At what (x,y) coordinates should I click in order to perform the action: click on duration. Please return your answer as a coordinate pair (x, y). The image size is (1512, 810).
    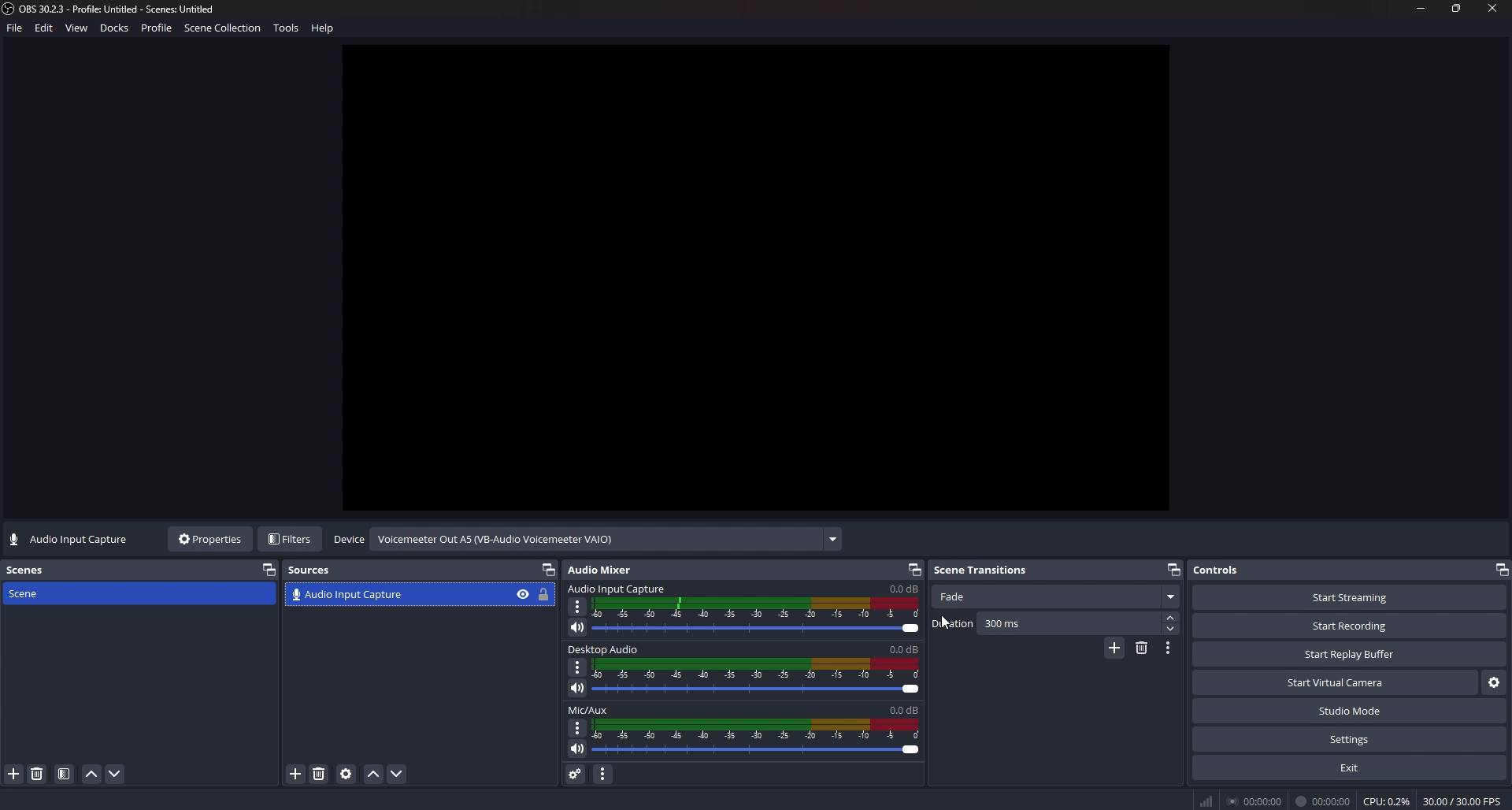
    Looking at the image, I should click on (1047, 623).